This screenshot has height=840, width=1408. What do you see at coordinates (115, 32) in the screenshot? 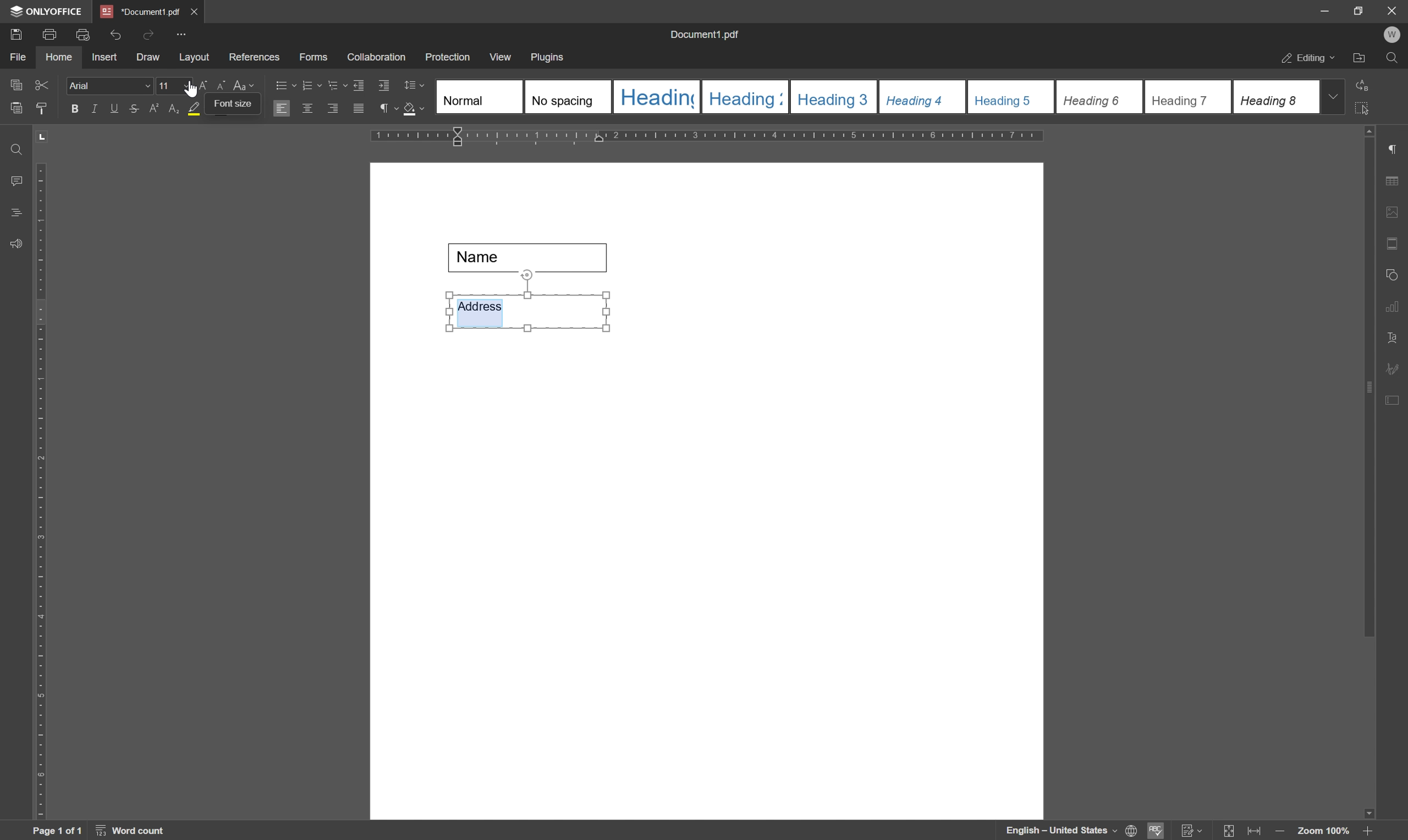
I see `undo` at bounding box center [115, 32].